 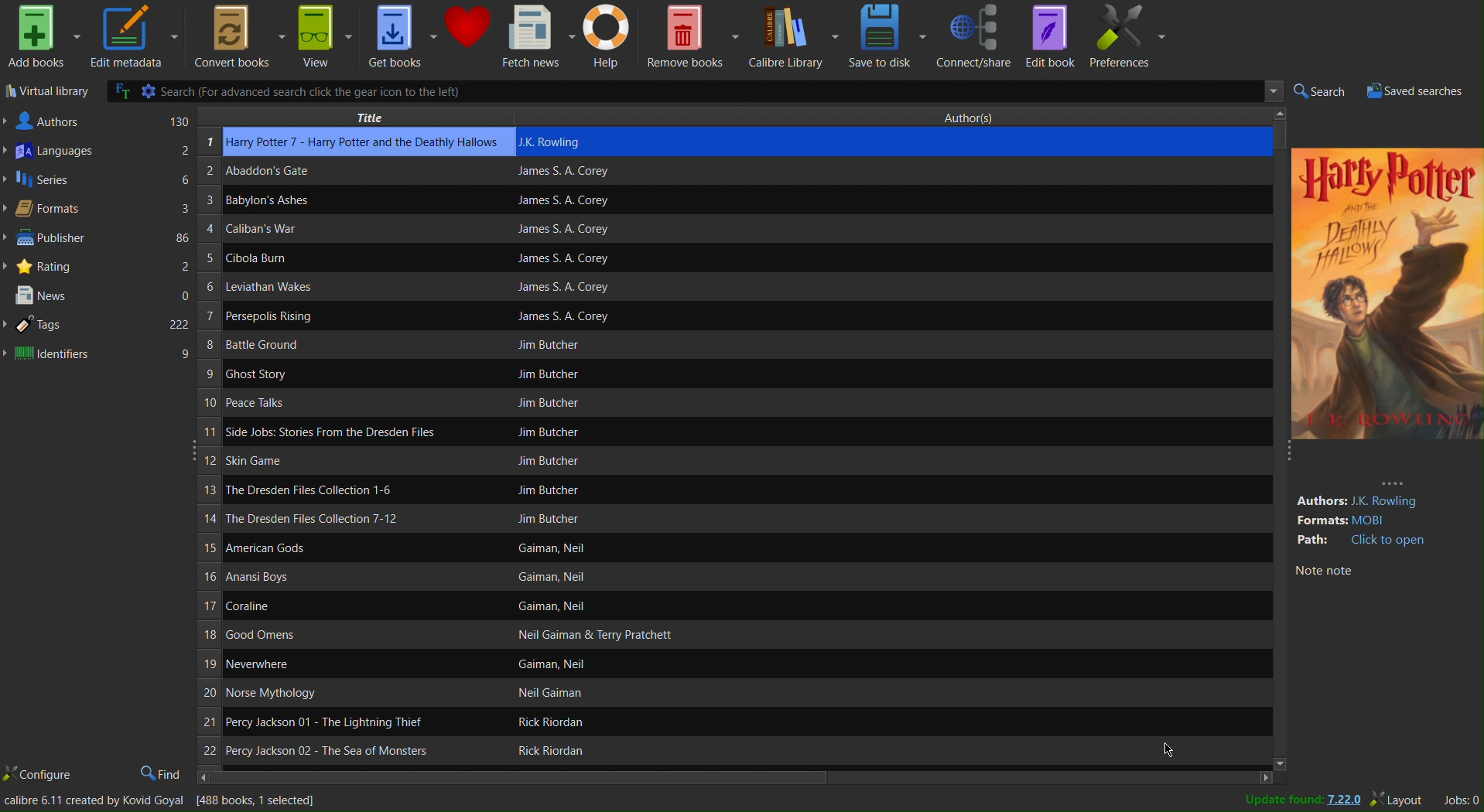 What do you see at coordinates (1459, 800) in the screenshot?
I see `Jobs` at bounding box center [1459, 800].